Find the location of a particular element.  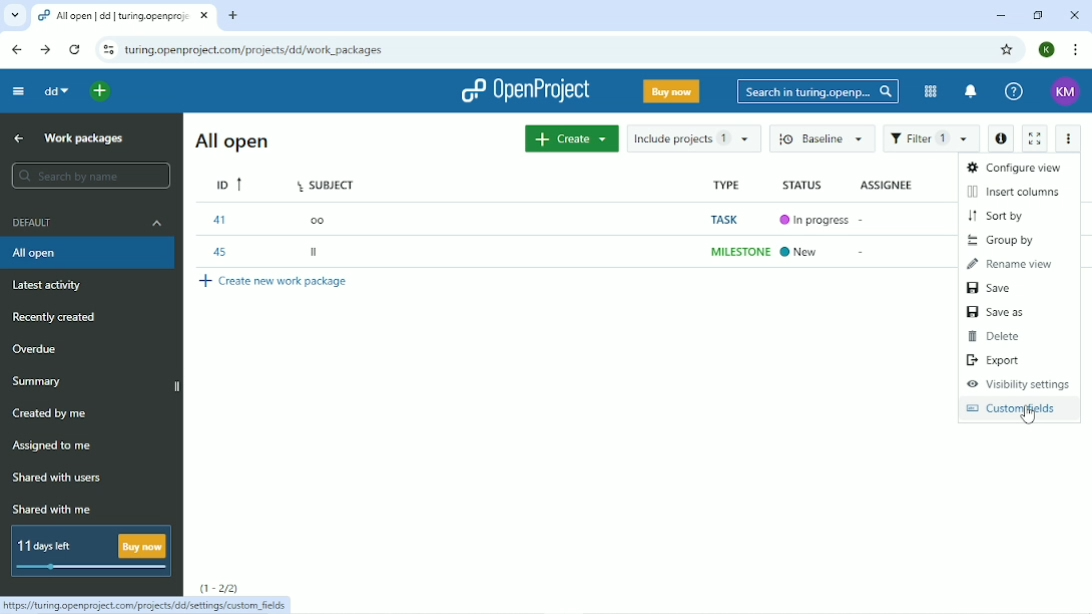

https://turing.openproject.com/projects/dd/settings/custom_fields is located at coordinates (150, 606).